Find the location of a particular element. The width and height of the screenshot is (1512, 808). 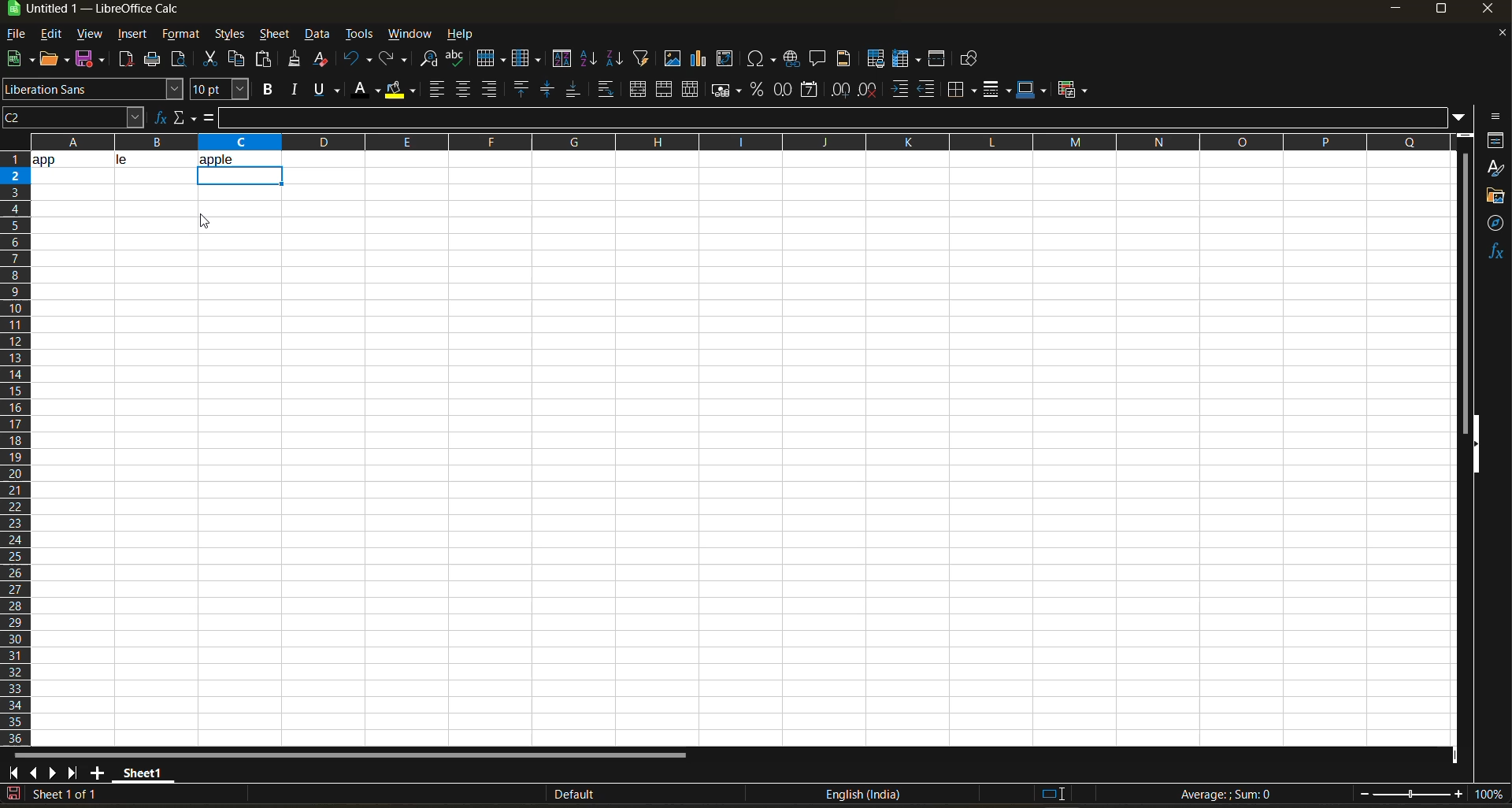

show draw functions is located at coordinates (966, 61).